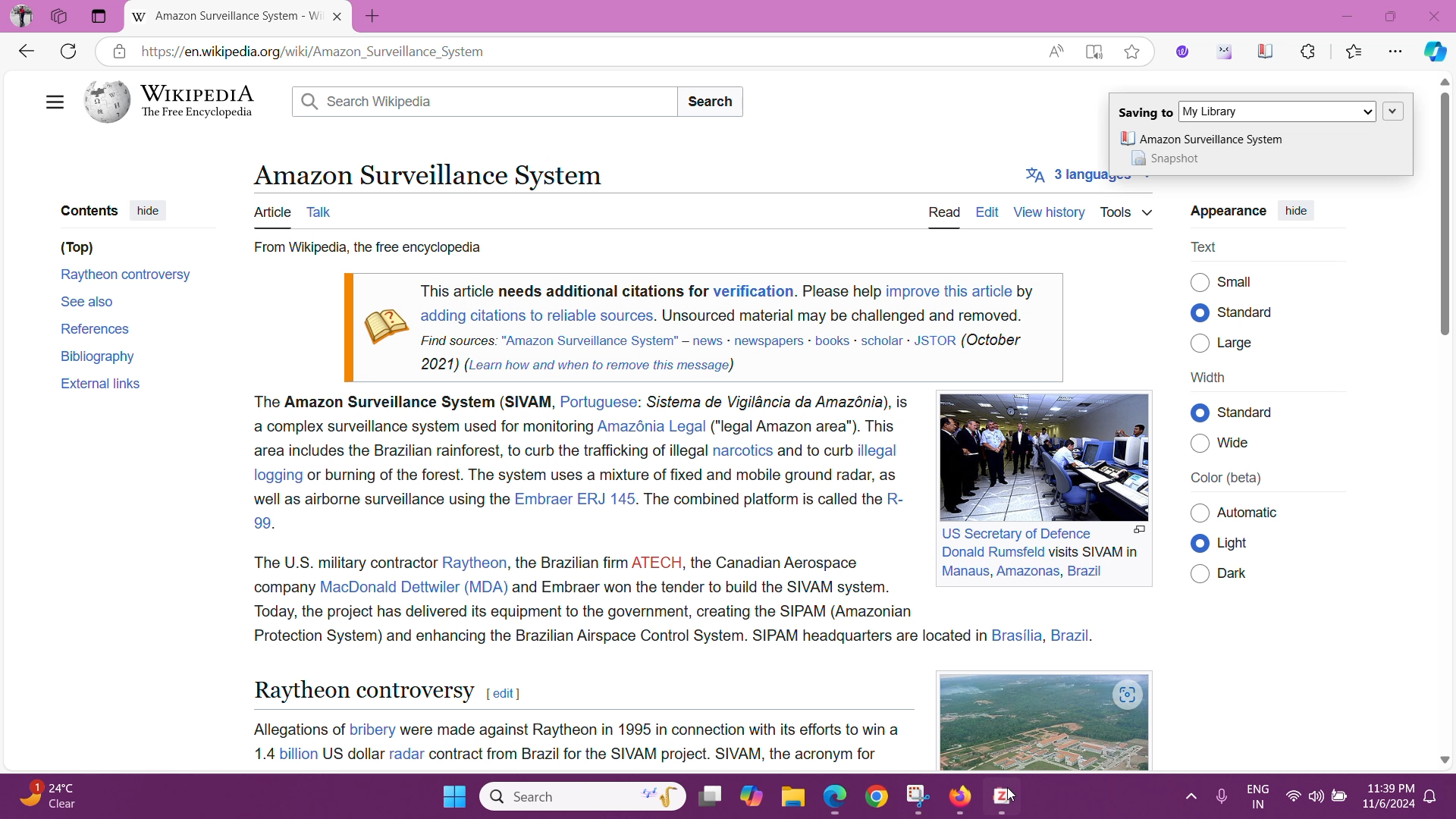 This screenshot has width=1456, height=819. What do you see at coordinates (100, 384) in the screenshot?
I see `External links` at bounding box center [100, 384].